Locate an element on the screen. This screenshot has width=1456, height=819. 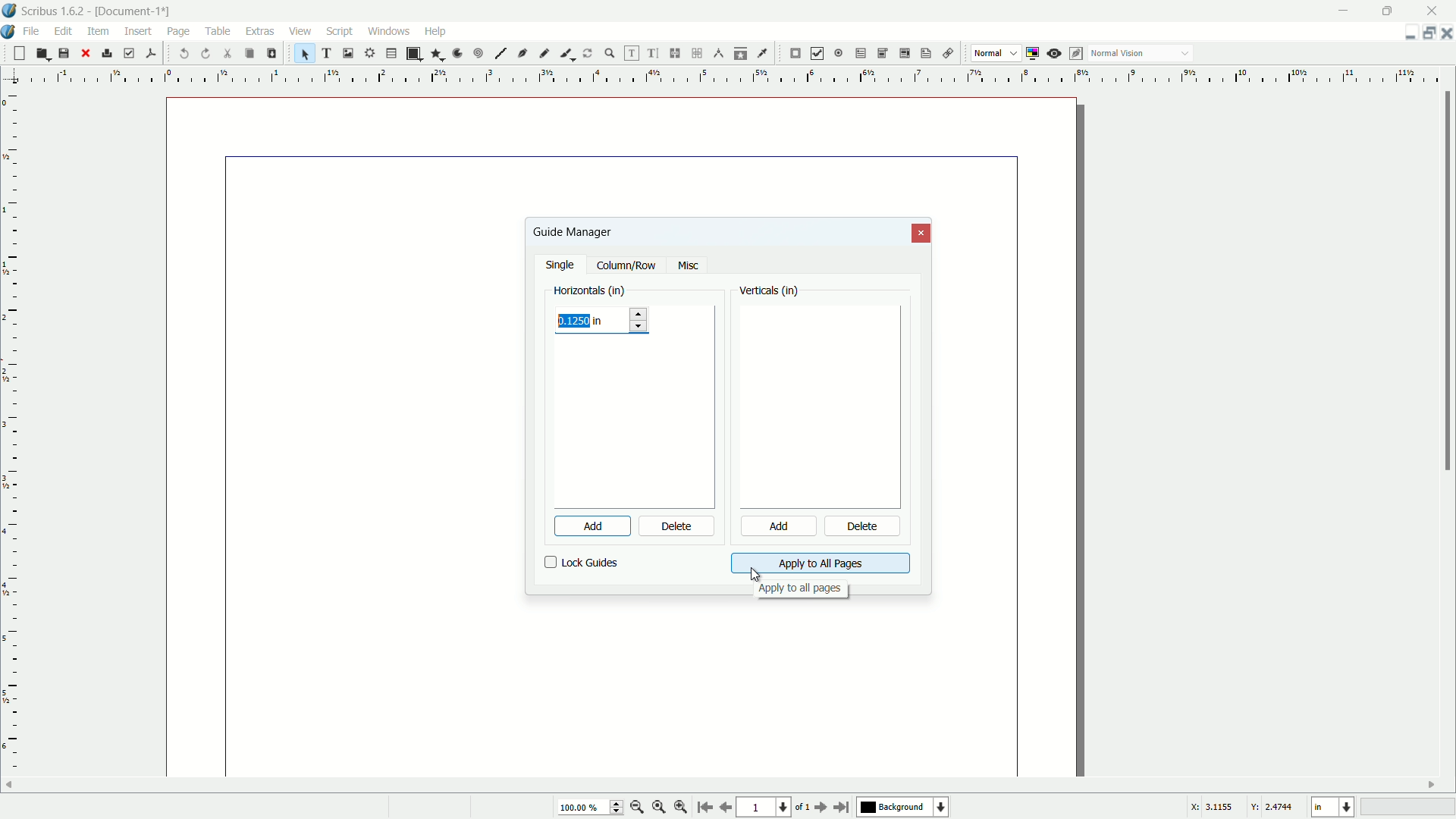
link annotation is located at coordinates (945, 54).